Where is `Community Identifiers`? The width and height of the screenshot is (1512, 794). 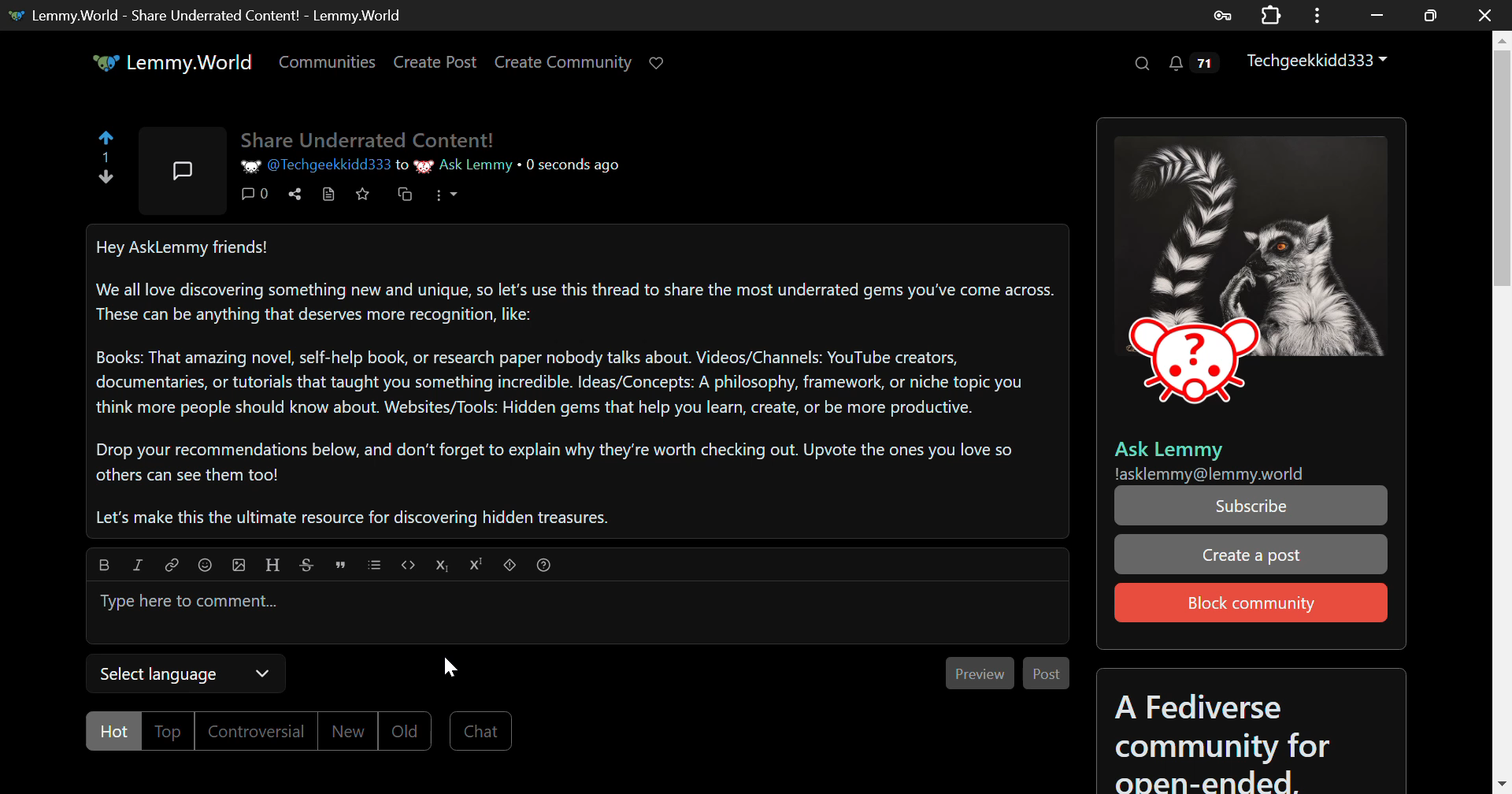 Community Identifiers is located at coordinates (1248, 458).